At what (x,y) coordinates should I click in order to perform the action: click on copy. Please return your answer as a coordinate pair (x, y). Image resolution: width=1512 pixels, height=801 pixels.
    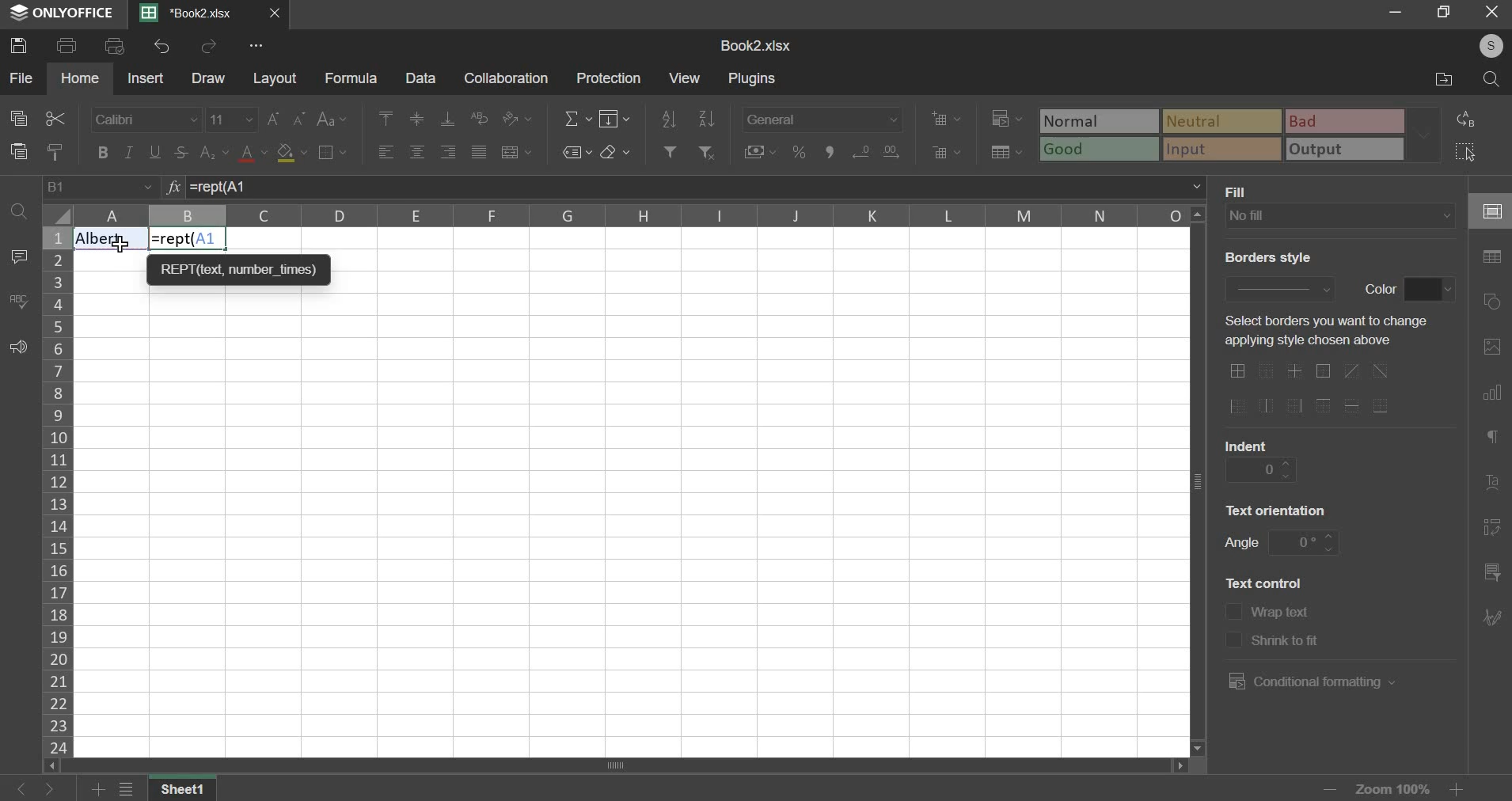
    Looking at the image, I should click on (19, 118).